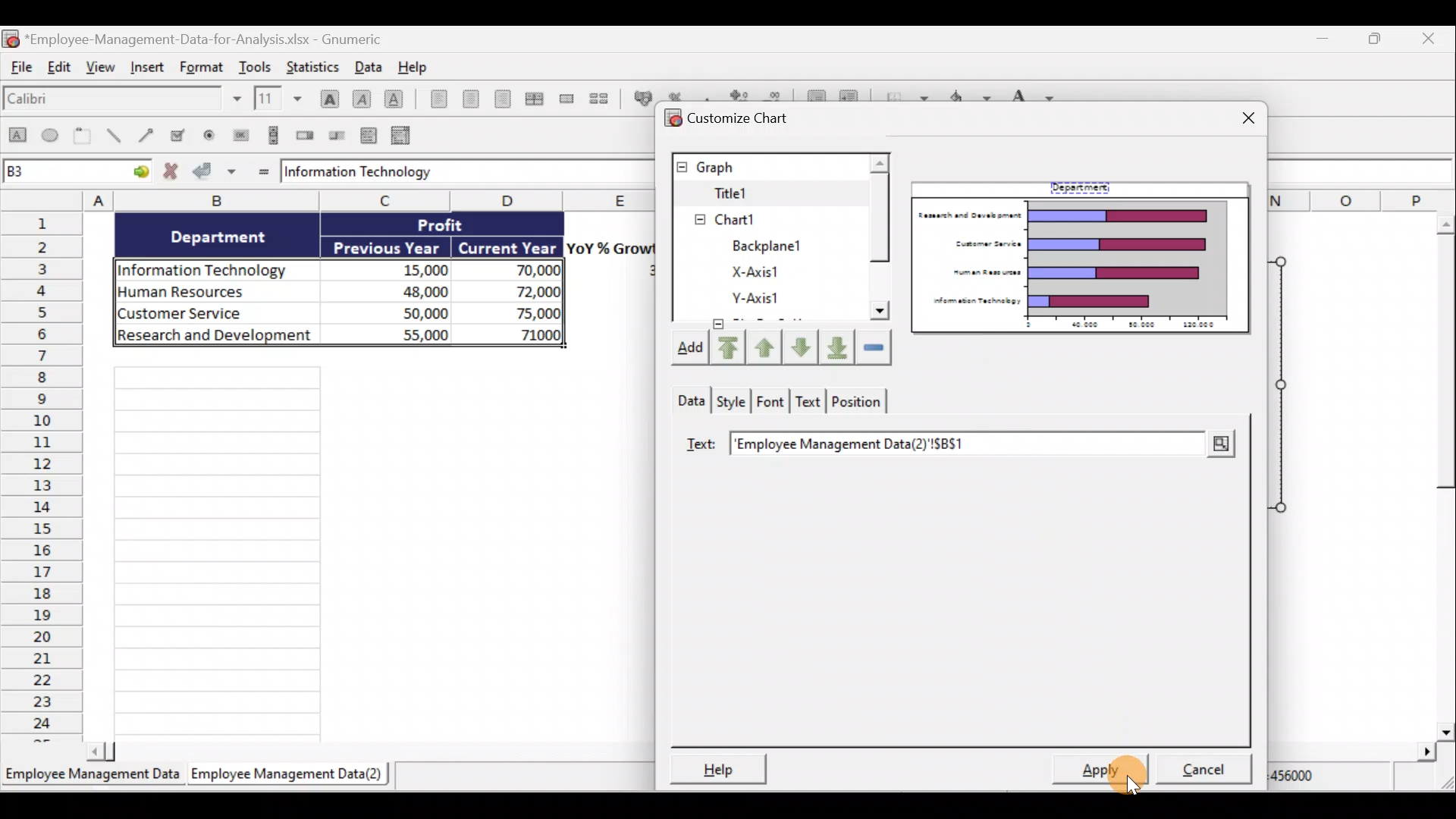 This screenshot has height=819, width=1456. What do you see at coordinates (306, 134) in the screenshot?
I see `Create a spin button` at bounding box center [306, 134].